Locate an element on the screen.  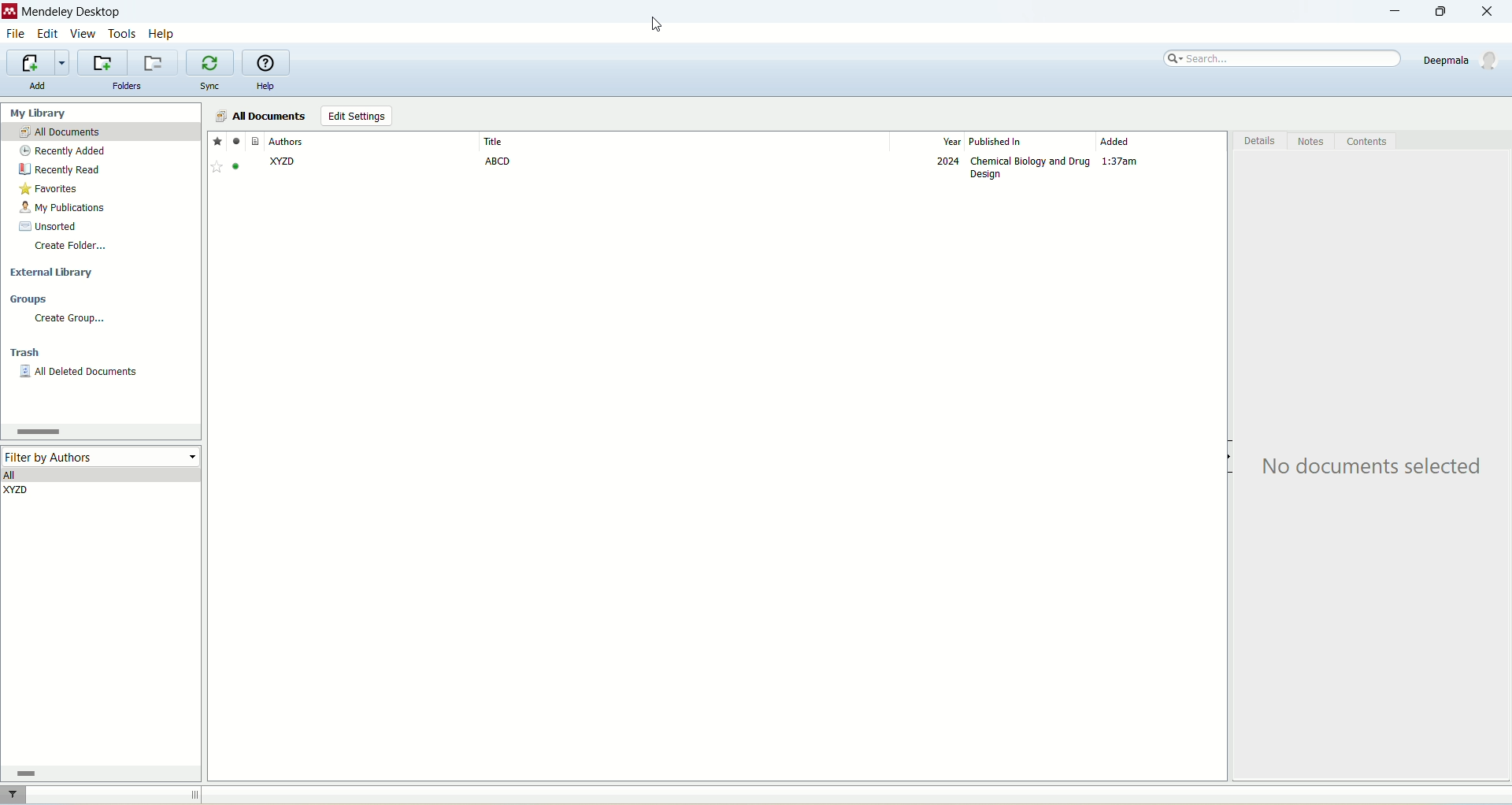
recently read is located at coordinates (59, 169).